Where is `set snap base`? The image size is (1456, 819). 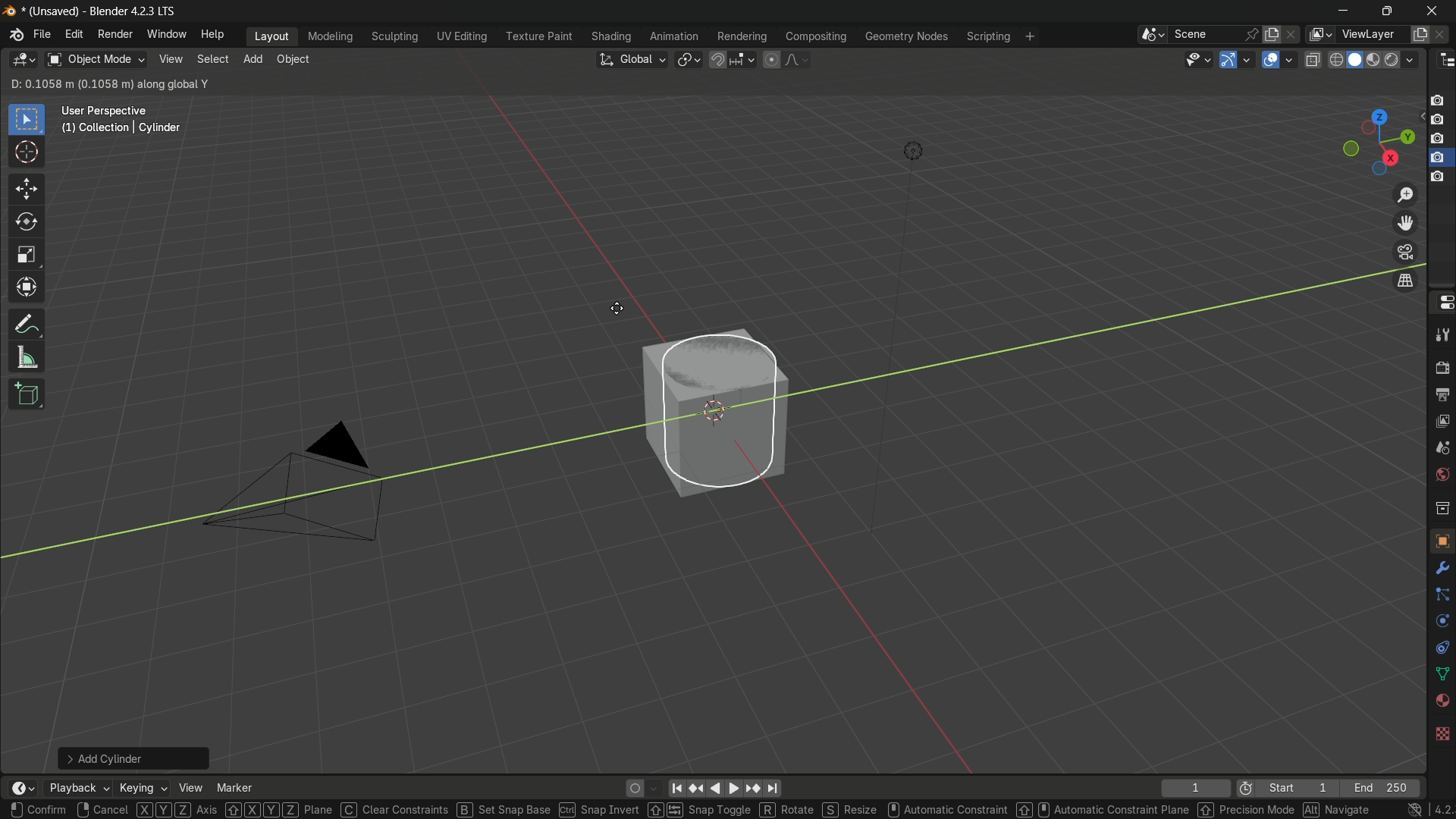 set snap base is located at coordinates (502, 808).